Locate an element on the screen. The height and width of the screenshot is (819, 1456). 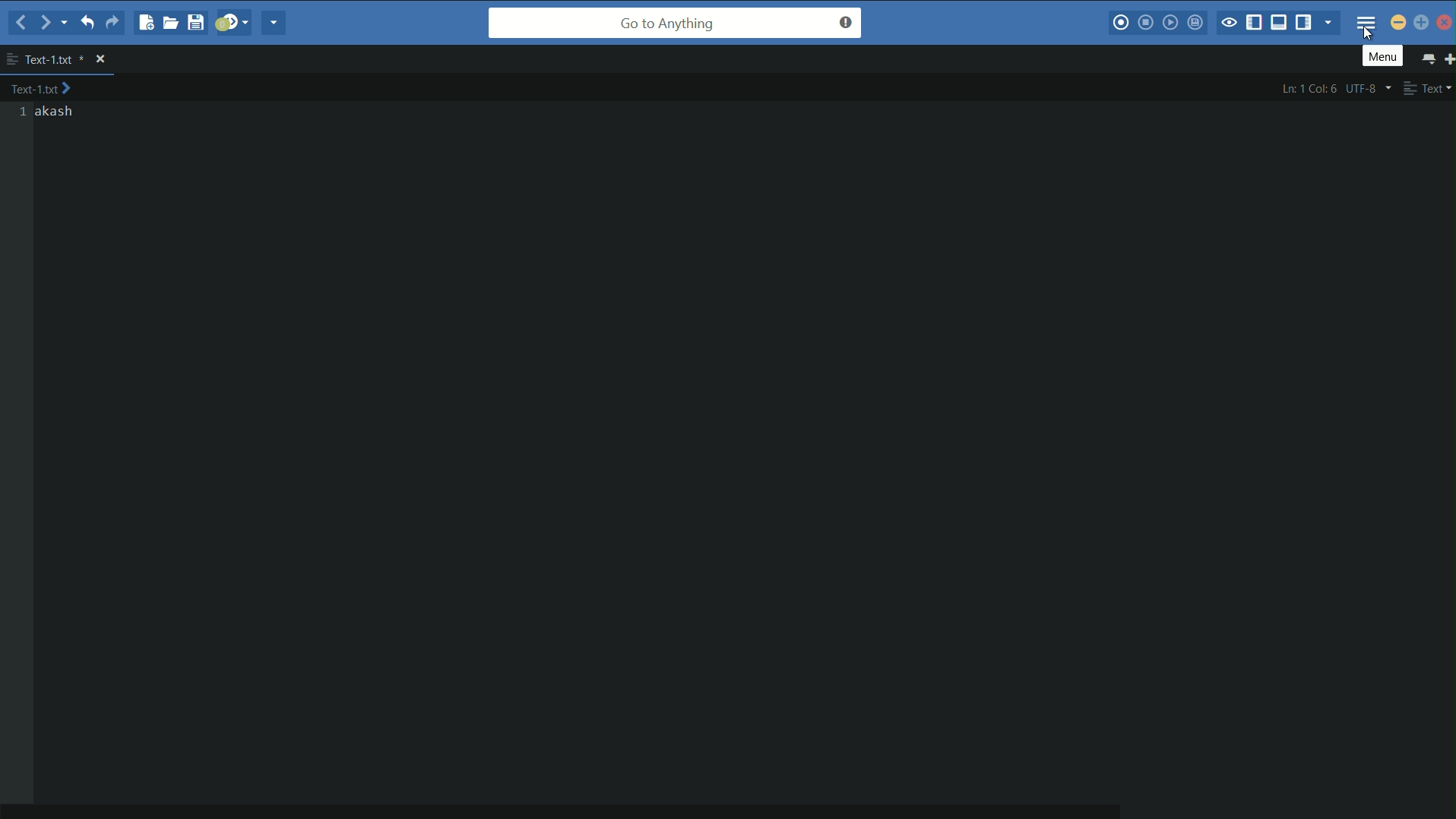
back is located at coordinates (22, 24).